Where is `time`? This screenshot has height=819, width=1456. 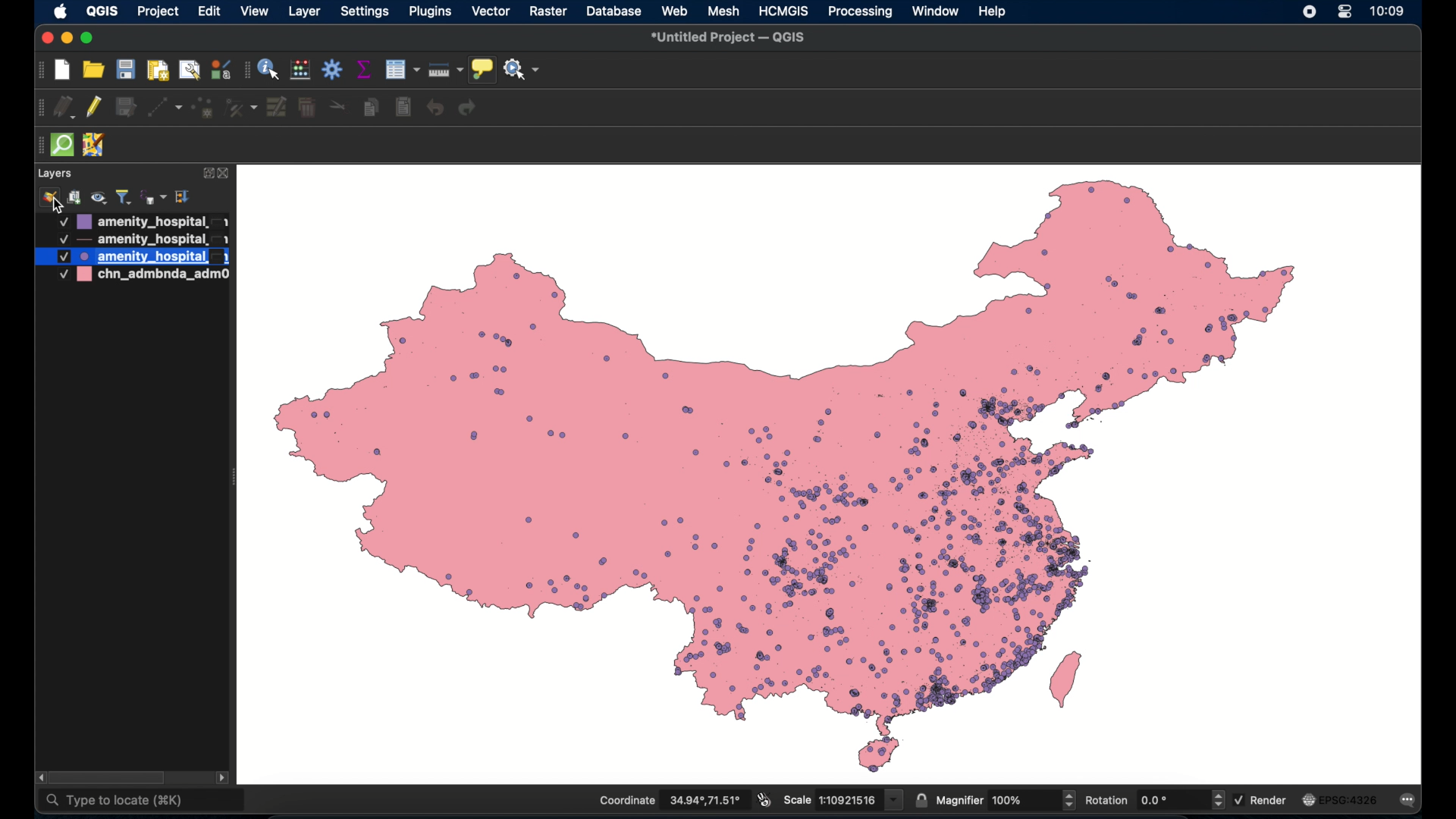 time is located at coordinates (1389, 13).